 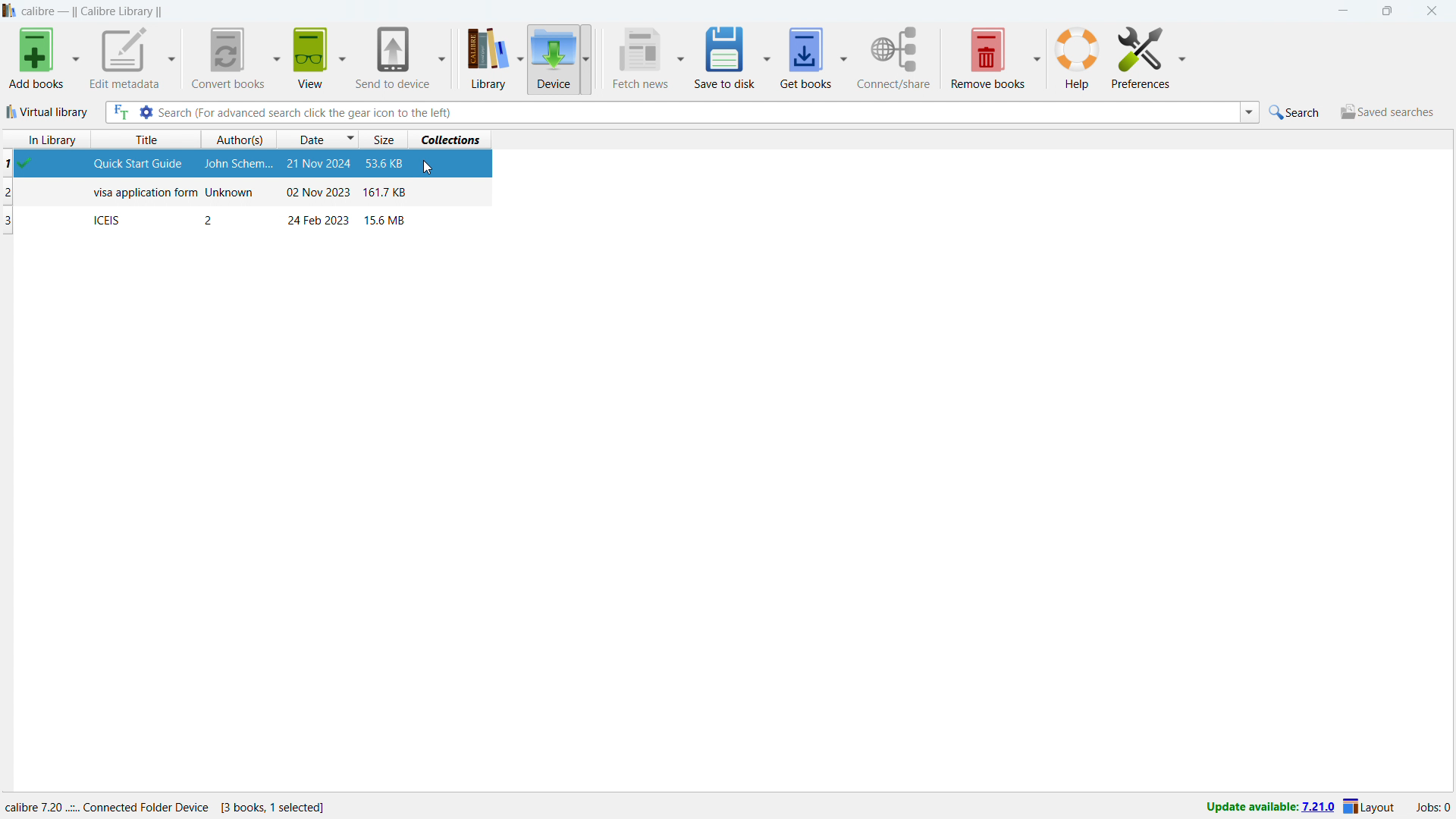 I want to click on logo, so click(x=10, y=11).